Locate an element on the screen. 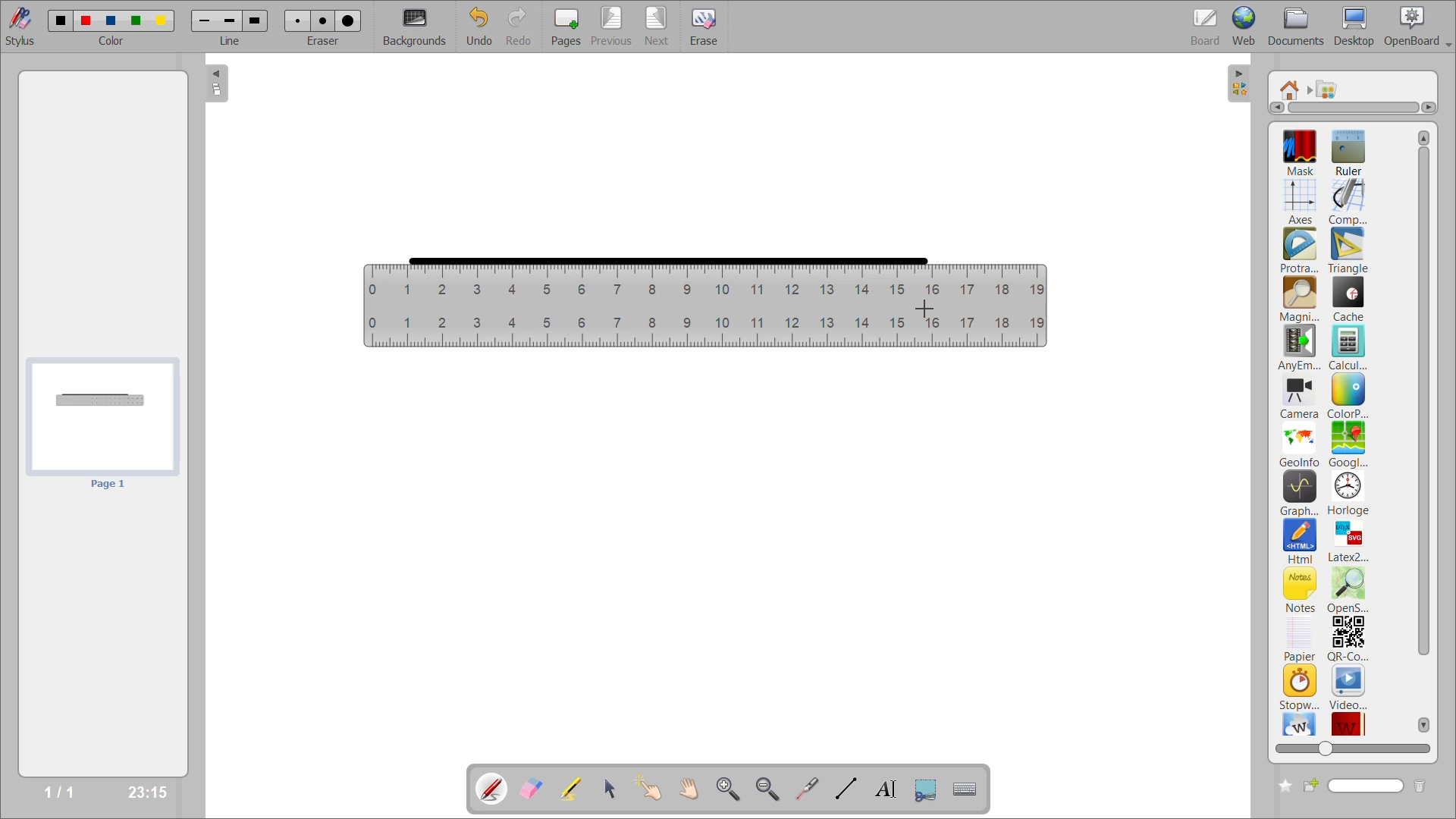 The width and height of the screenshot is (1456, 819). video is located at coordinates (1349, 686).